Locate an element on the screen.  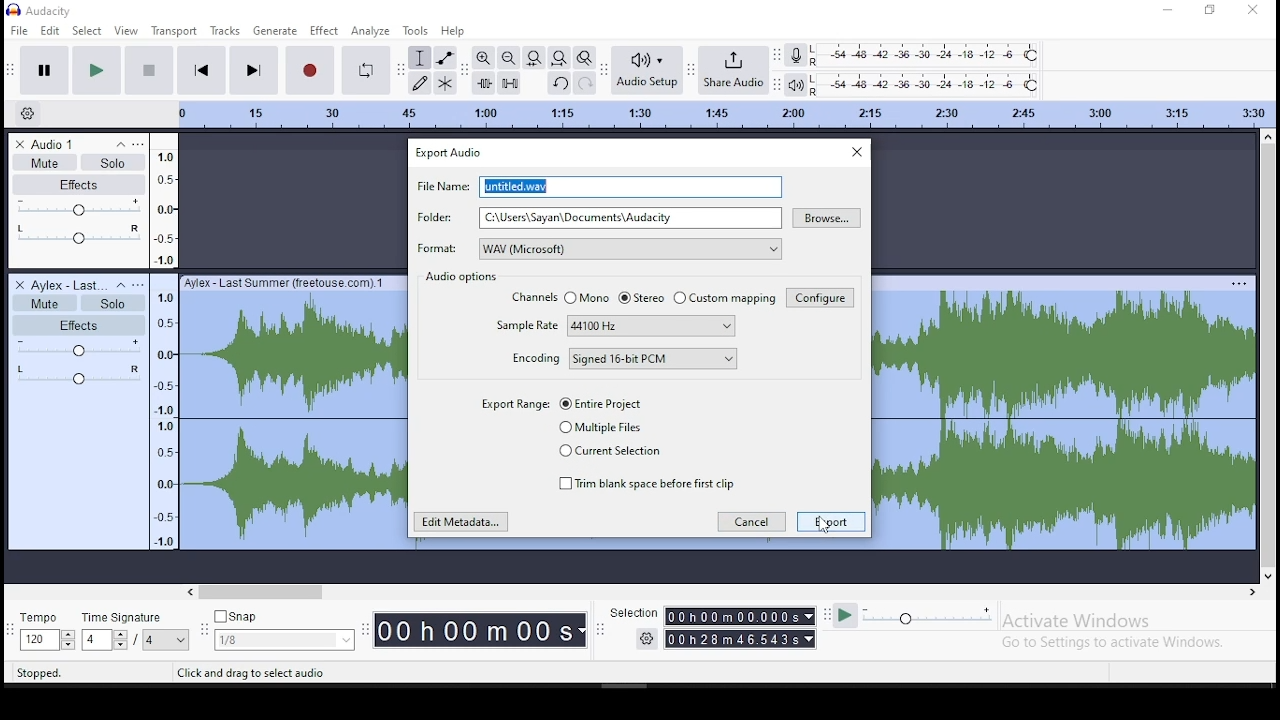
record meter is located at coordinates (796, 55).